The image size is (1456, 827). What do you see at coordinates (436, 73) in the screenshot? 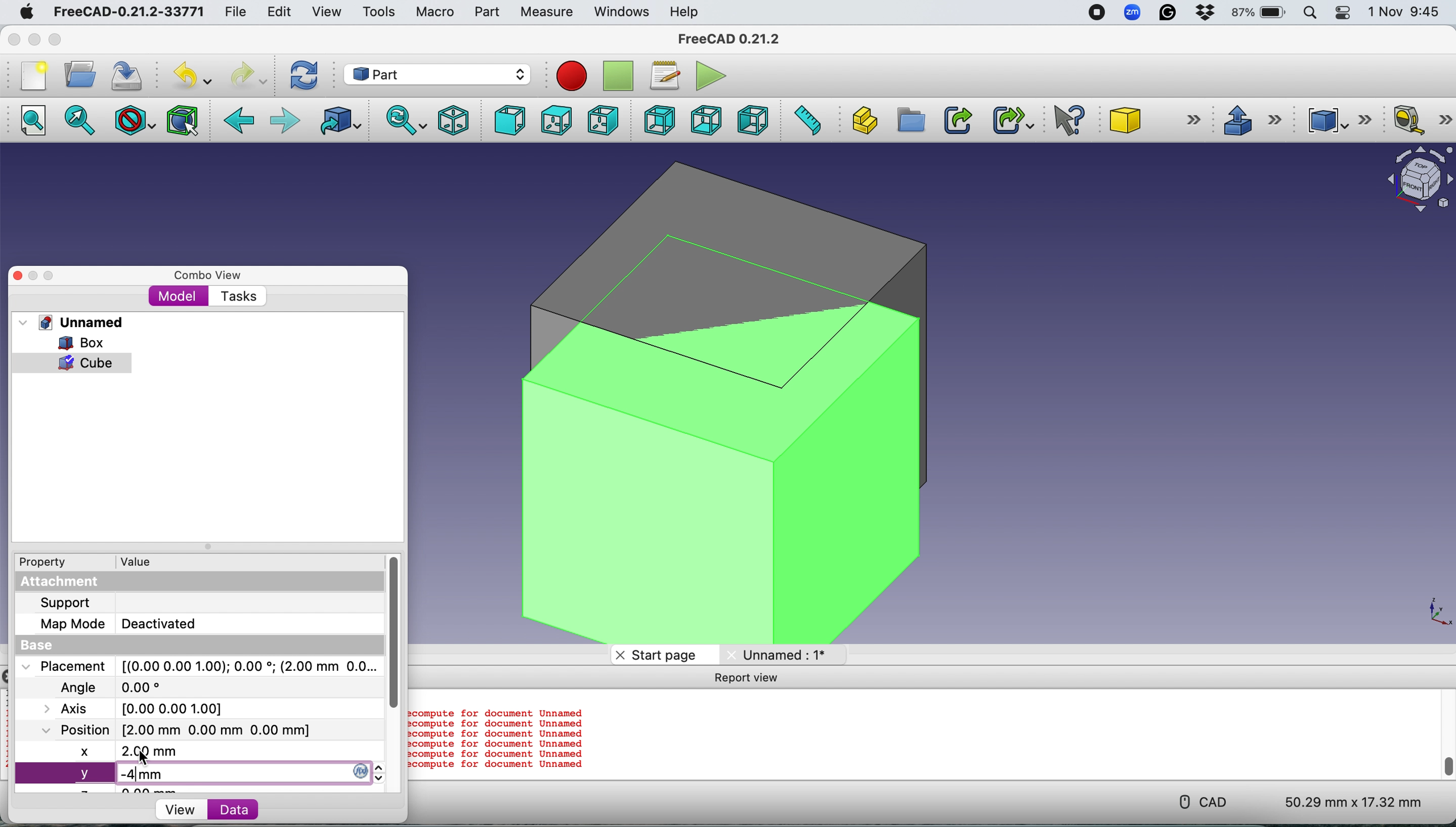
I see `Workbench` at bounding box center [436, 73].